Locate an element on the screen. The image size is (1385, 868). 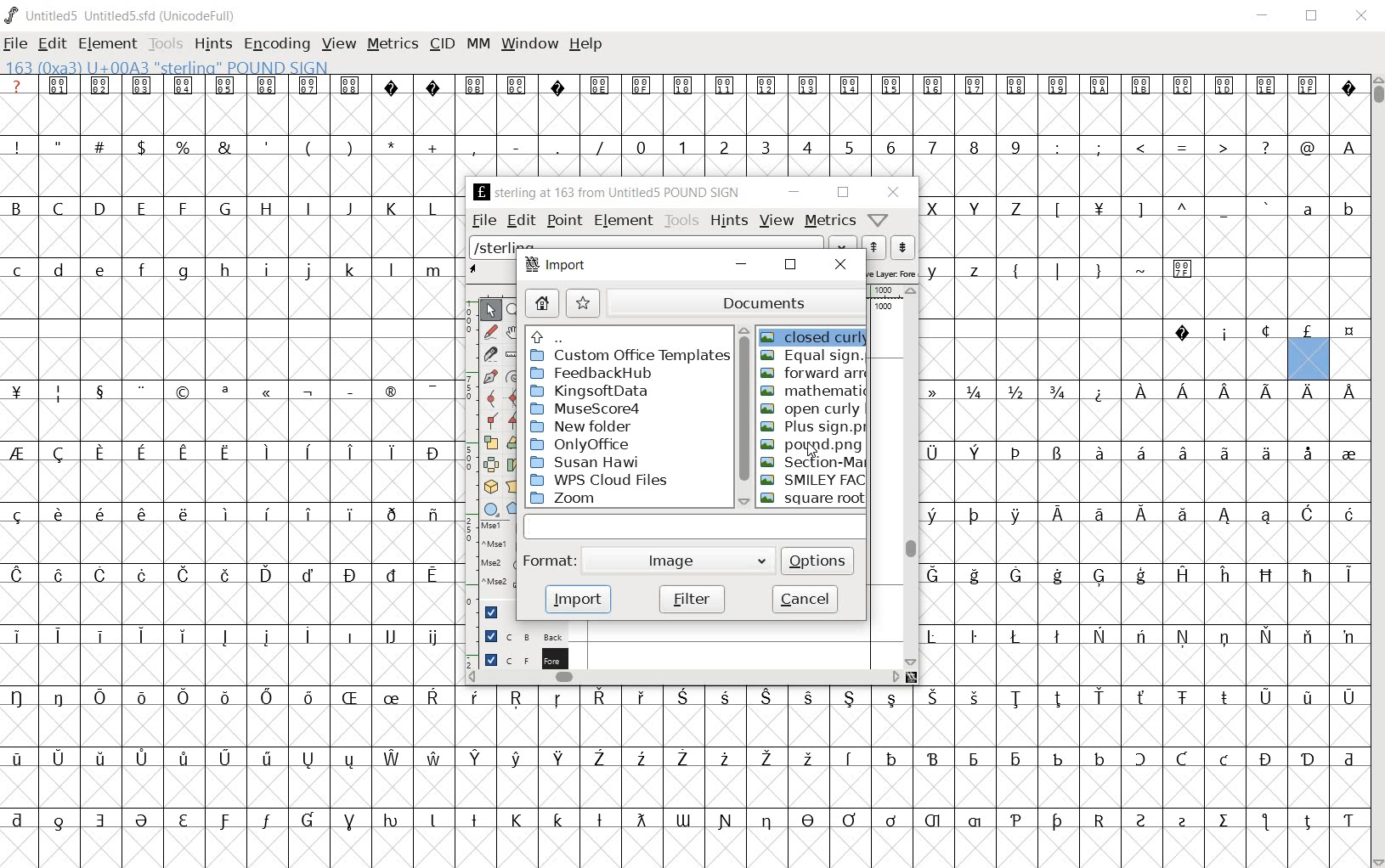
Symbol is located at coordinates (1180, 454).